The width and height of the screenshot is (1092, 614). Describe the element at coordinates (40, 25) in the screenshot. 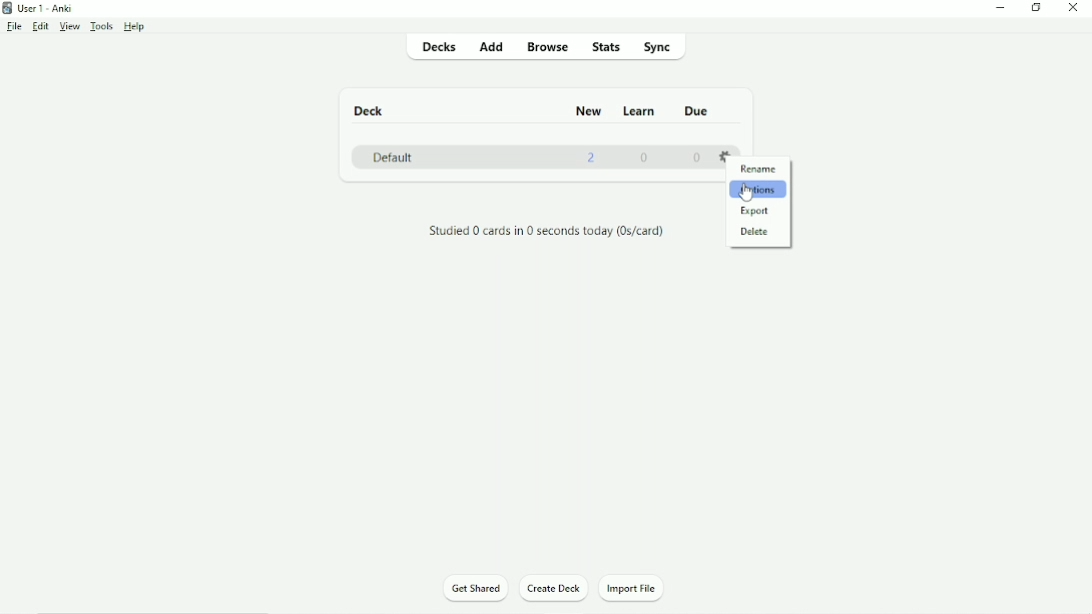

I see `Edit` at that location.